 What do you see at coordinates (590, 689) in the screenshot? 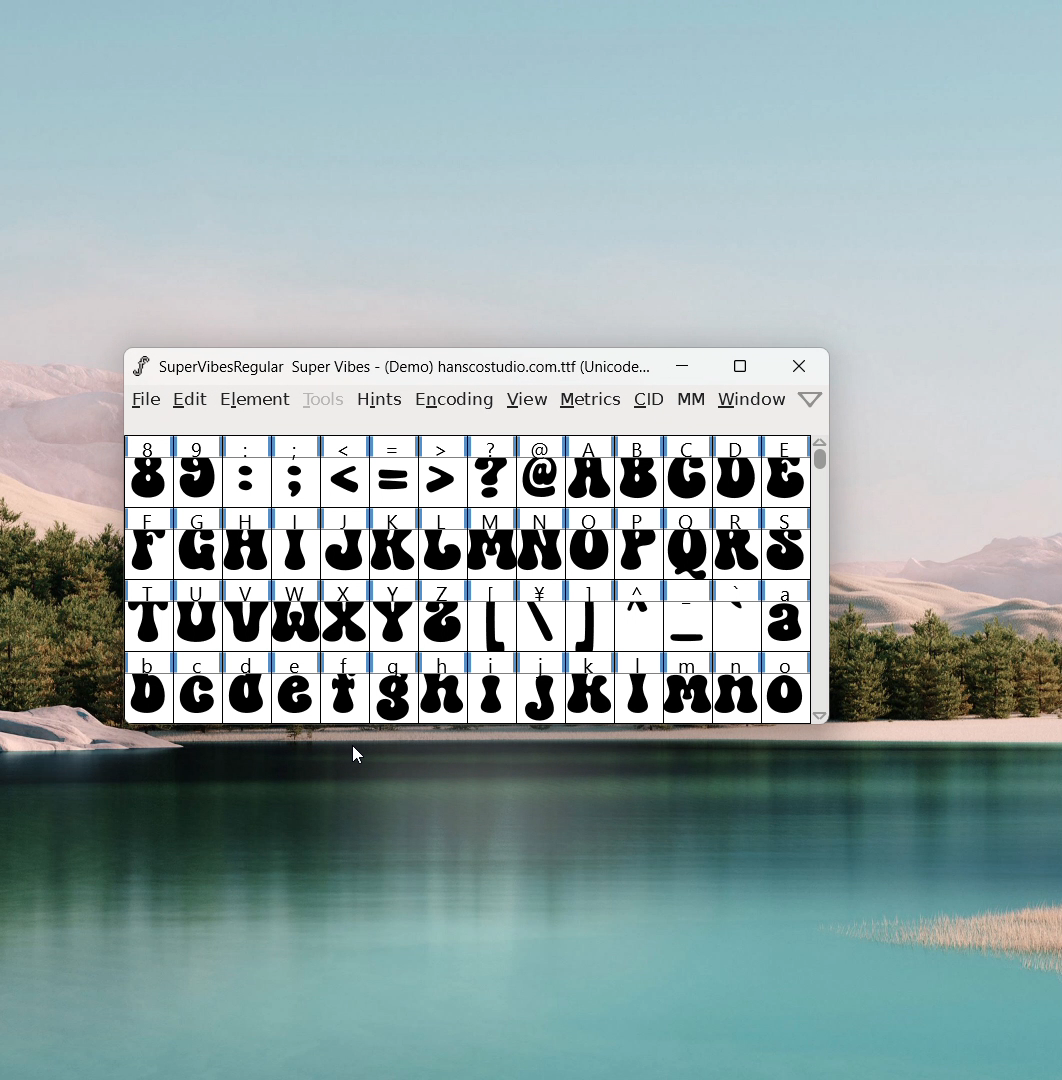
I see `k` at bounding box center [590, 689].